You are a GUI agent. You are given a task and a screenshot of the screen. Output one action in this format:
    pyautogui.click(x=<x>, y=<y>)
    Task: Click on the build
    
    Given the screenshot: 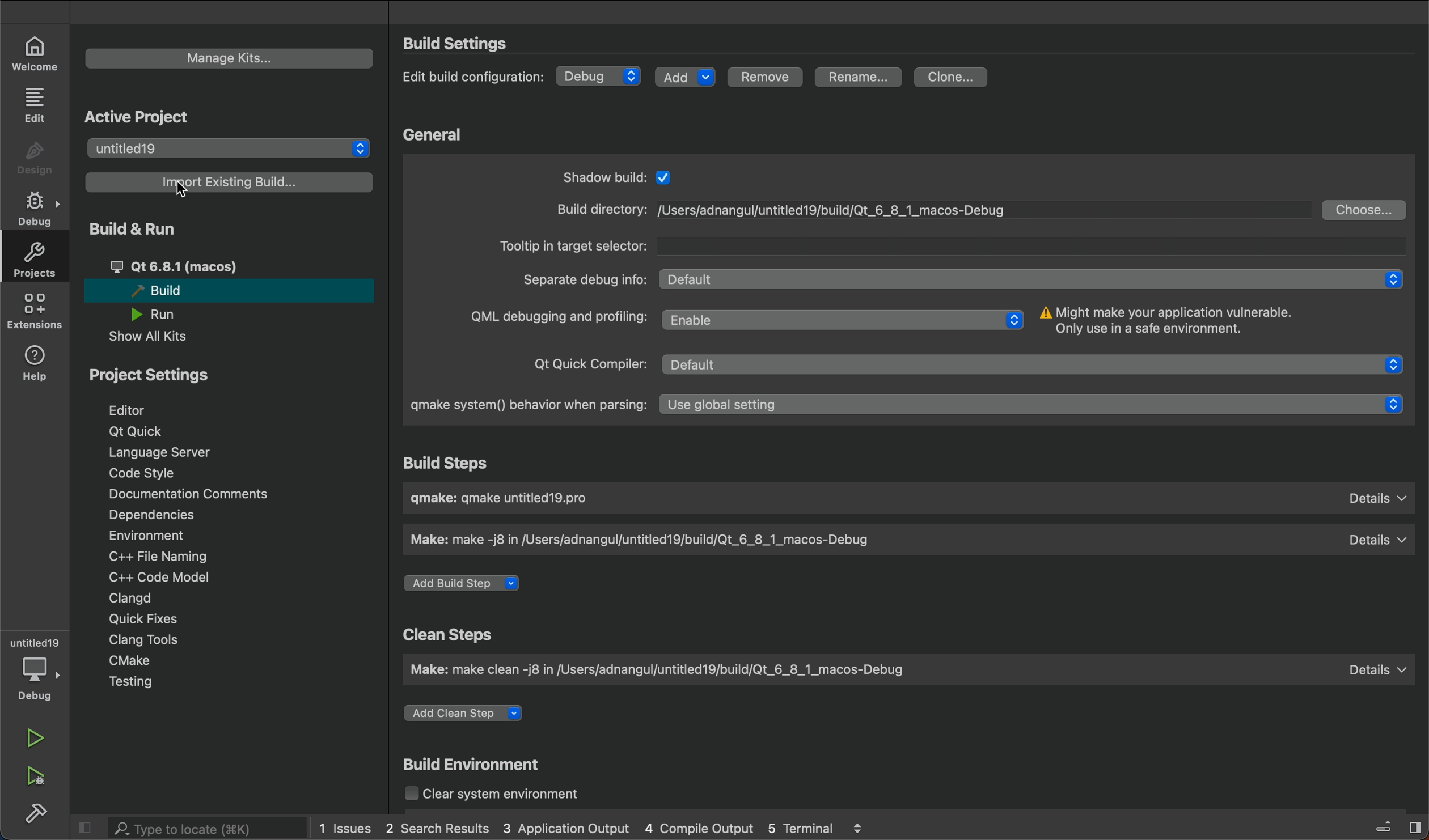 What is the action you would take?
    pyautogui.click(x=226, y=290)
    